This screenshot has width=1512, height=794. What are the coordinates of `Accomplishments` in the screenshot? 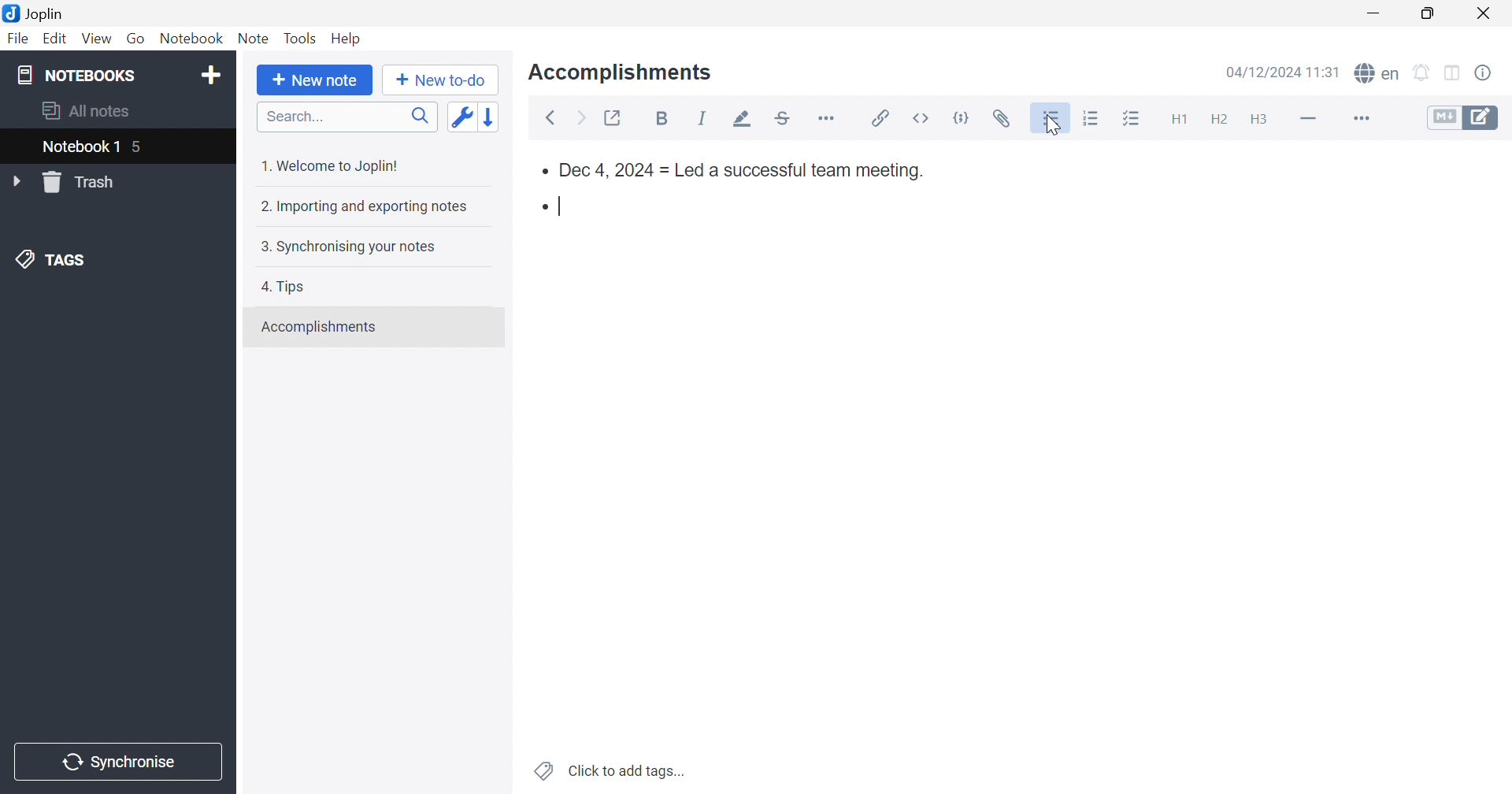 It's located at (621, 72).